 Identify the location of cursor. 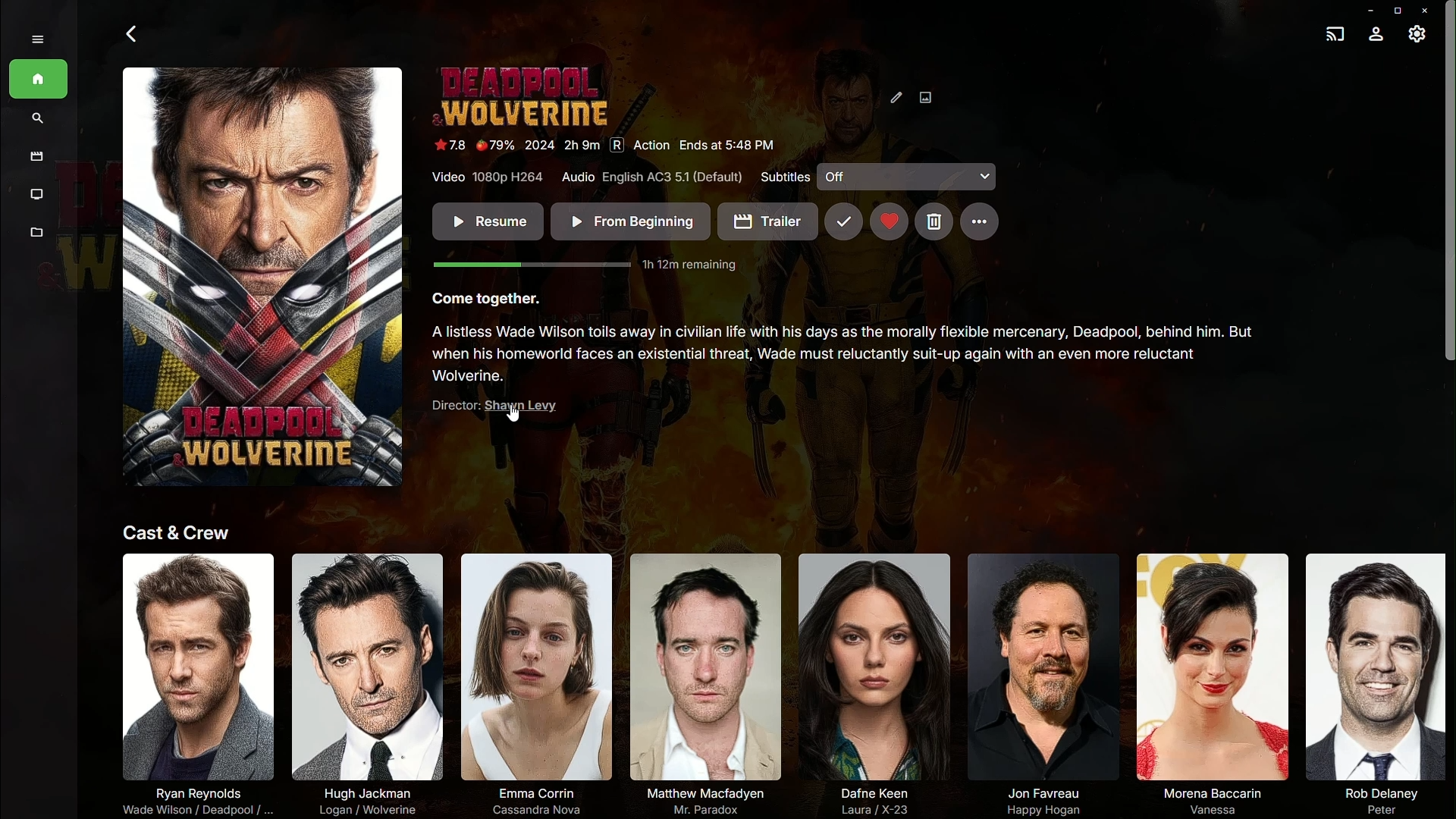
(516, 414).